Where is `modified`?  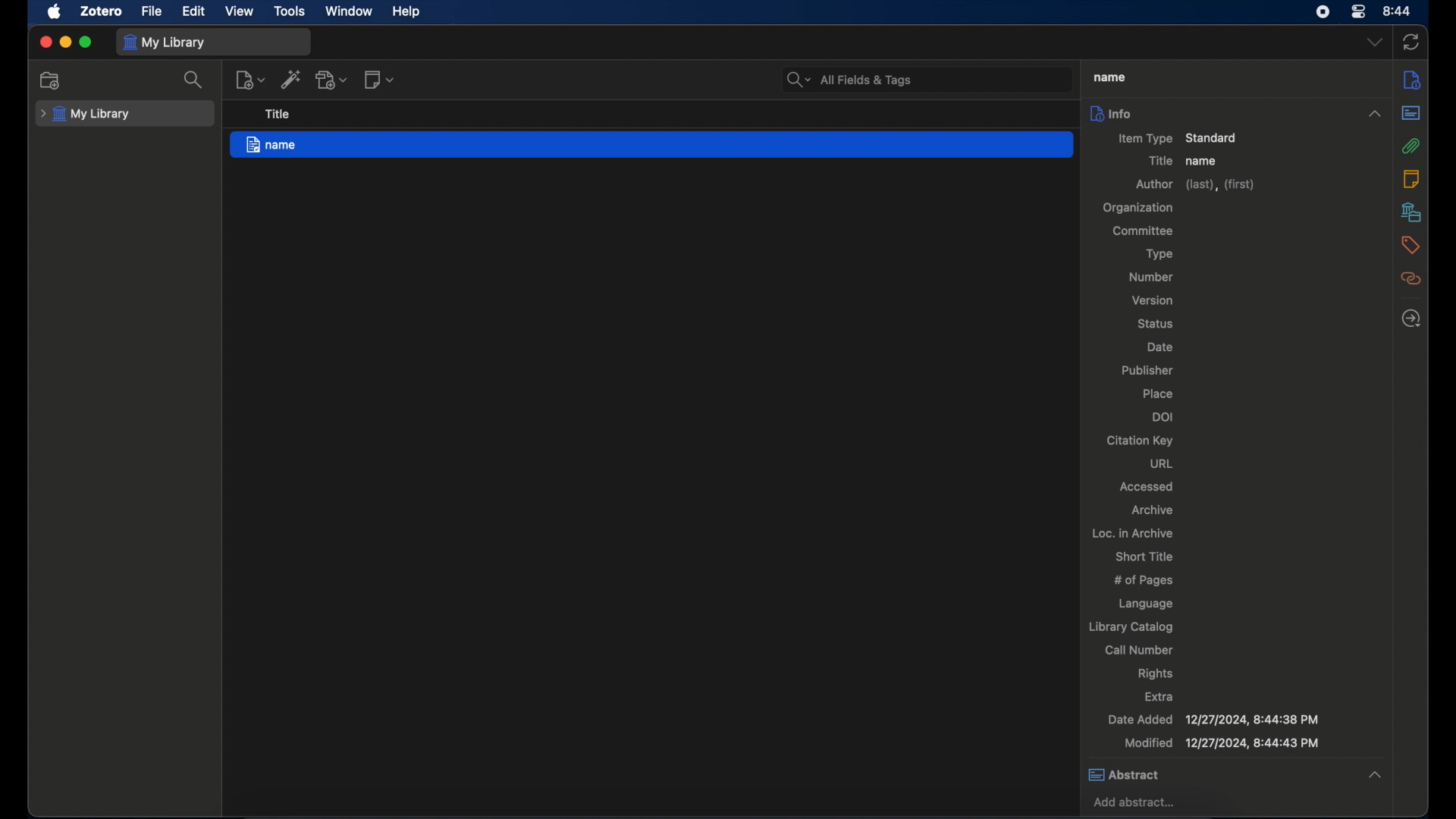
modified is located at coordinates (1220, 744).